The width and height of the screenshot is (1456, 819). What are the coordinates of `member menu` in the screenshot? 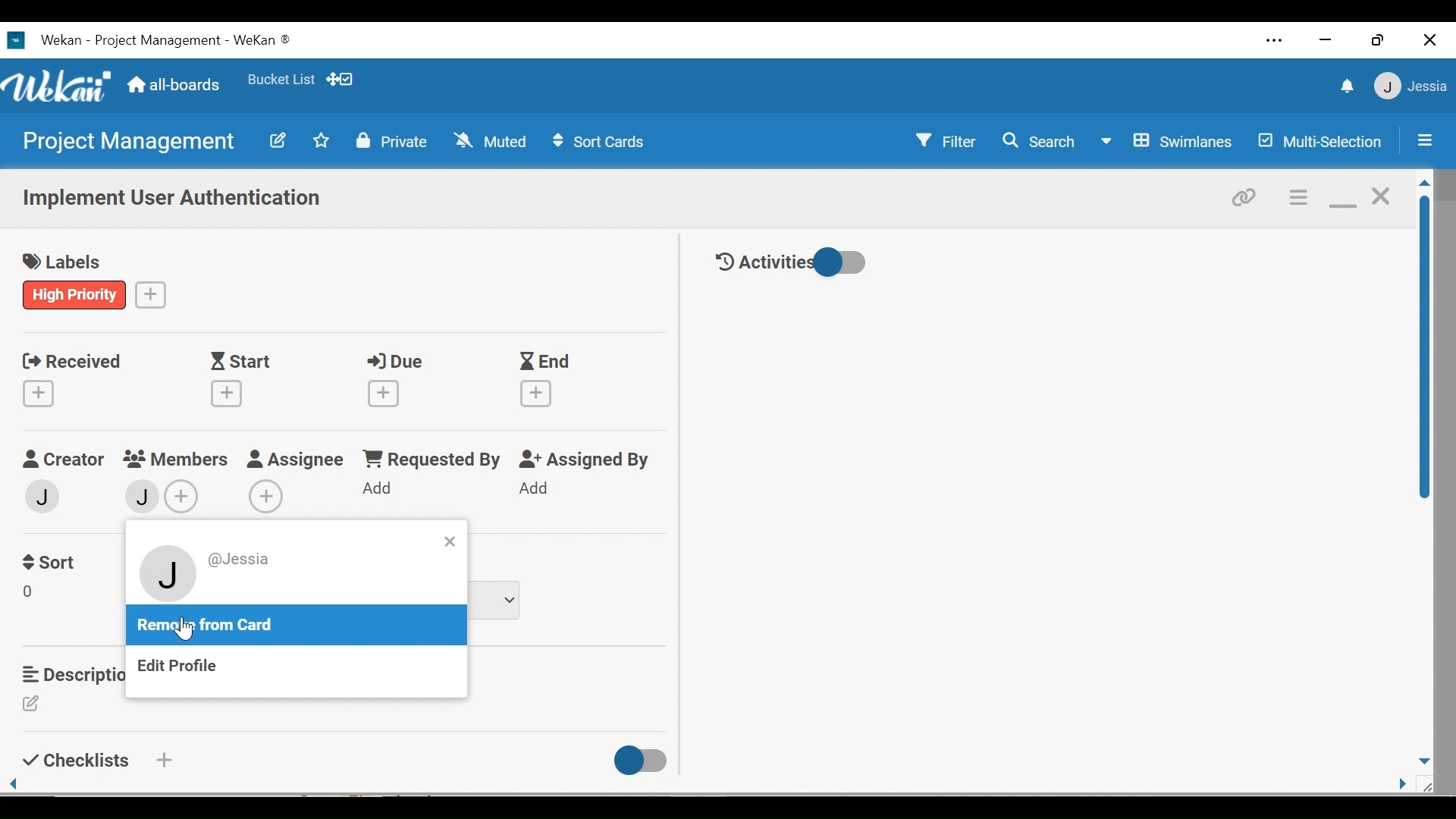 It's located at (1410, 86).